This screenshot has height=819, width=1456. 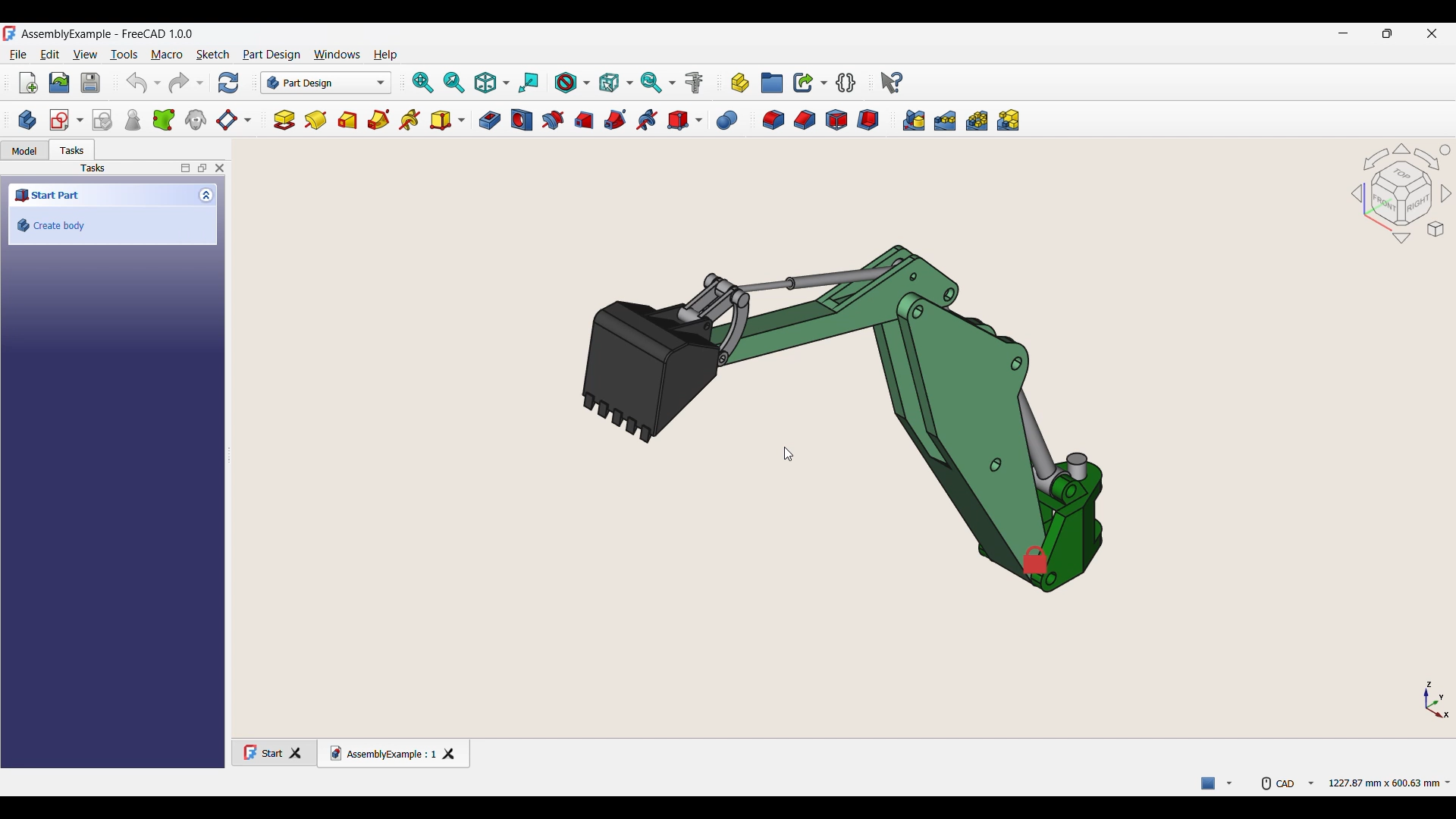 I want to click on Draft, so click(x=836, y=120).